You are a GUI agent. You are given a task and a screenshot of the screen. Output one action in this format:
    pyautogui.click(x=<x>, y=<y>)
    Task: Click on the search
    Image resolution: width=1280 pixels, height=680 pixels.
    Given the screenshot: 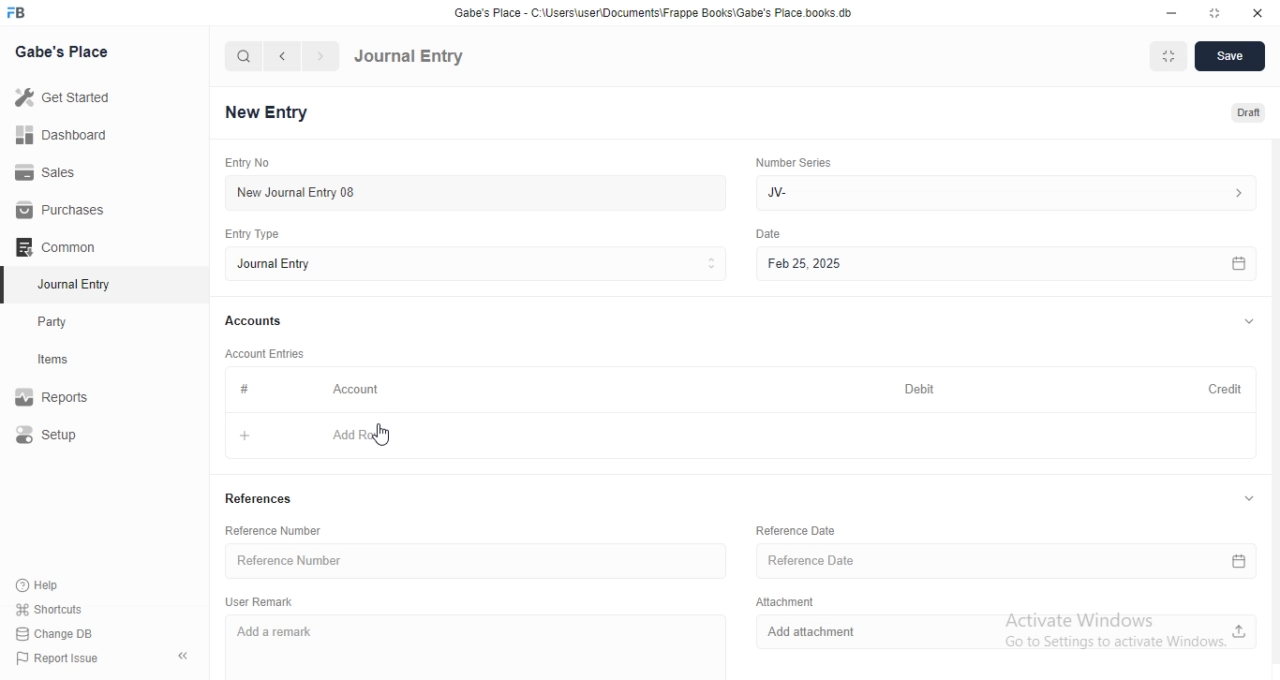 What is the action you would take?
    pyautogui.click(x=244, y=57)
    